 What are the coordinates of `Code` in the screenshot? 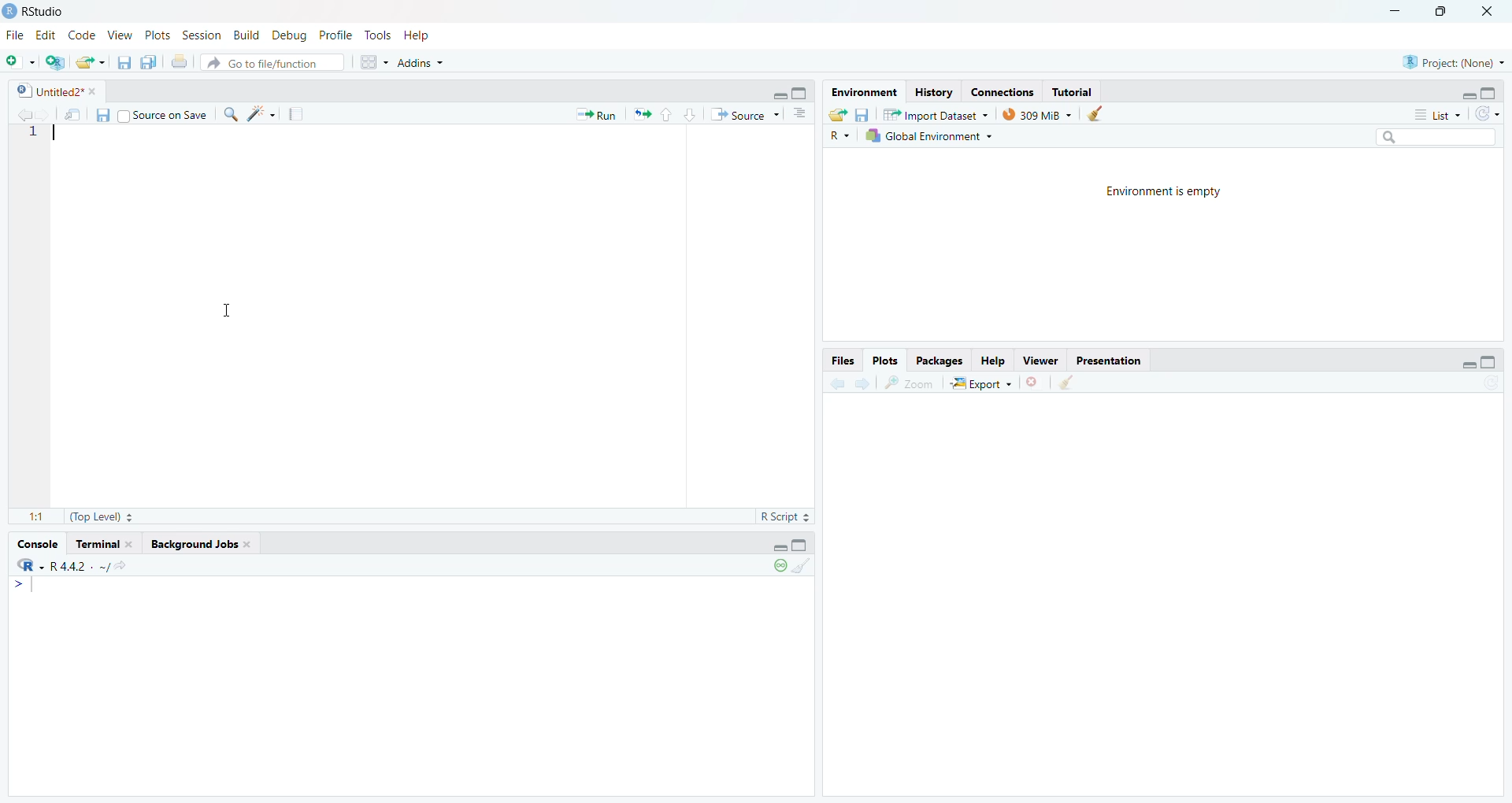 It's located at (83, 35).